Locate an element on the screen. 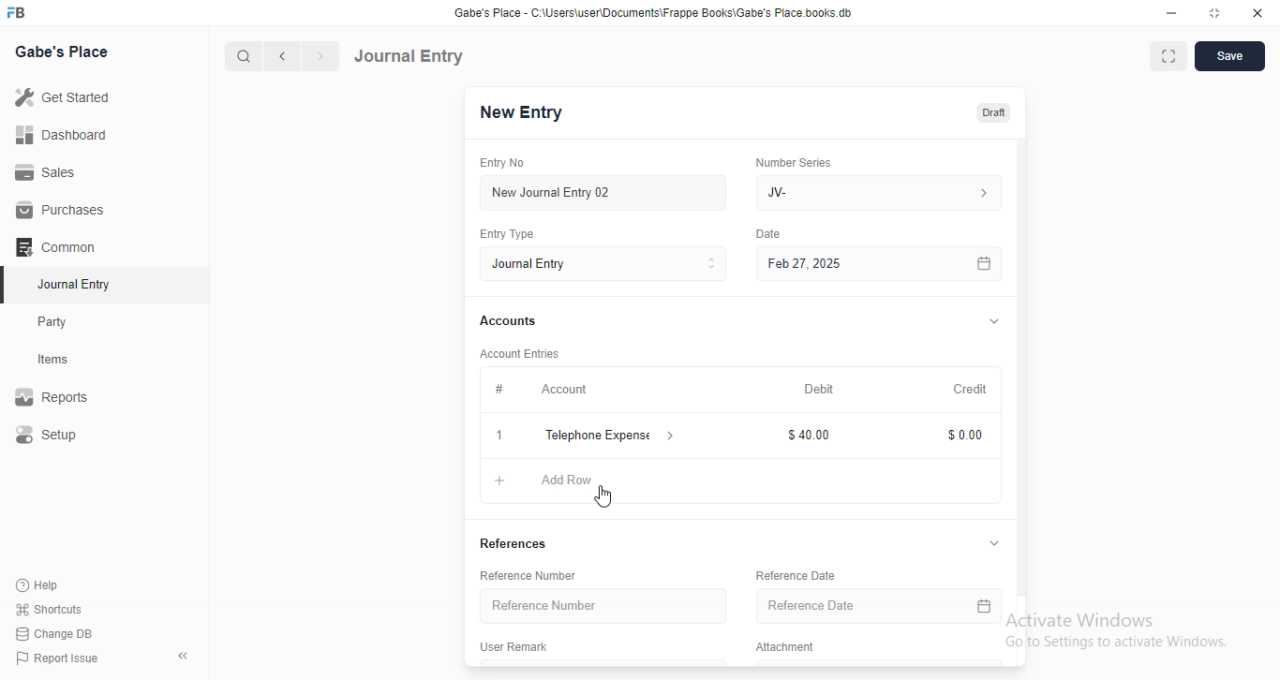  ‘Number Series is located at coordinates (794, 162).